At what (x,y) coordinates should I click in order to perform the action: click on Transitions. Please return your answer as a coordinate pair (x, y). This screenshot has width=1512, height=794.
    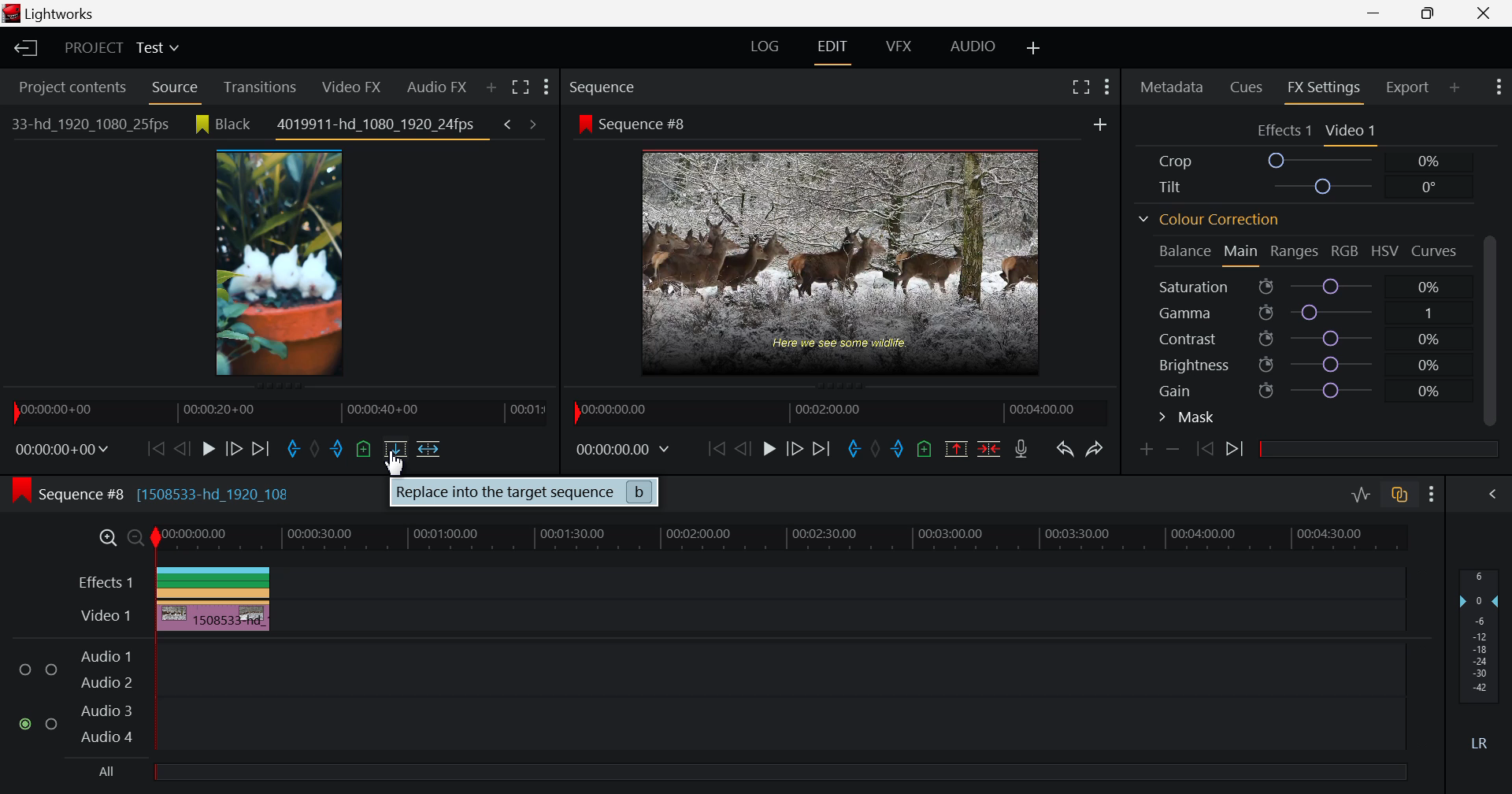
    Looking at the image, I should click on (261, 86).